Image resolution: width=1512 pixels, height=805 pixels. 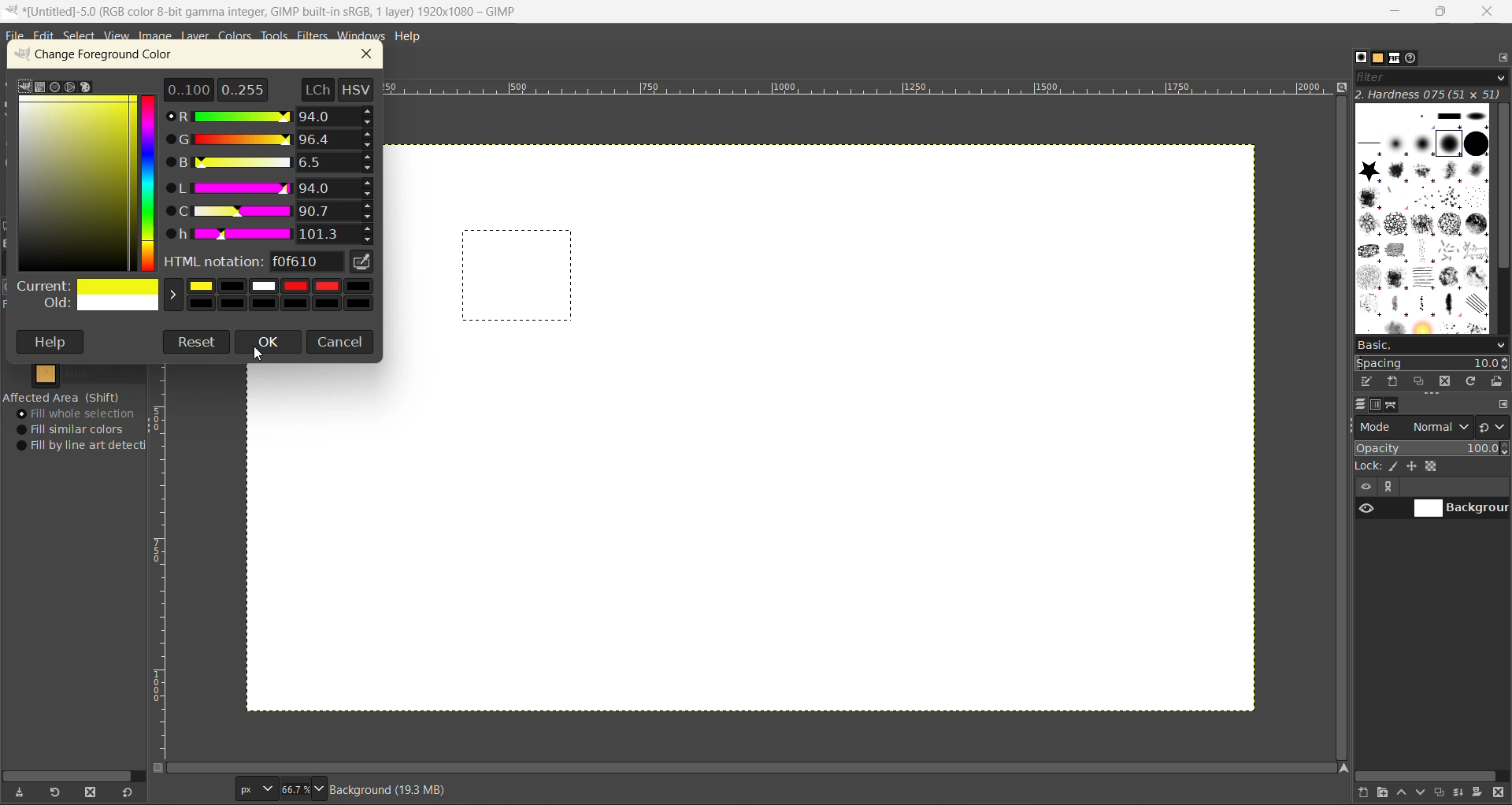 What do you see at coordinates (1430, 95) in the screenshot?
I see `hardness` at bounding box center [1430, 95].